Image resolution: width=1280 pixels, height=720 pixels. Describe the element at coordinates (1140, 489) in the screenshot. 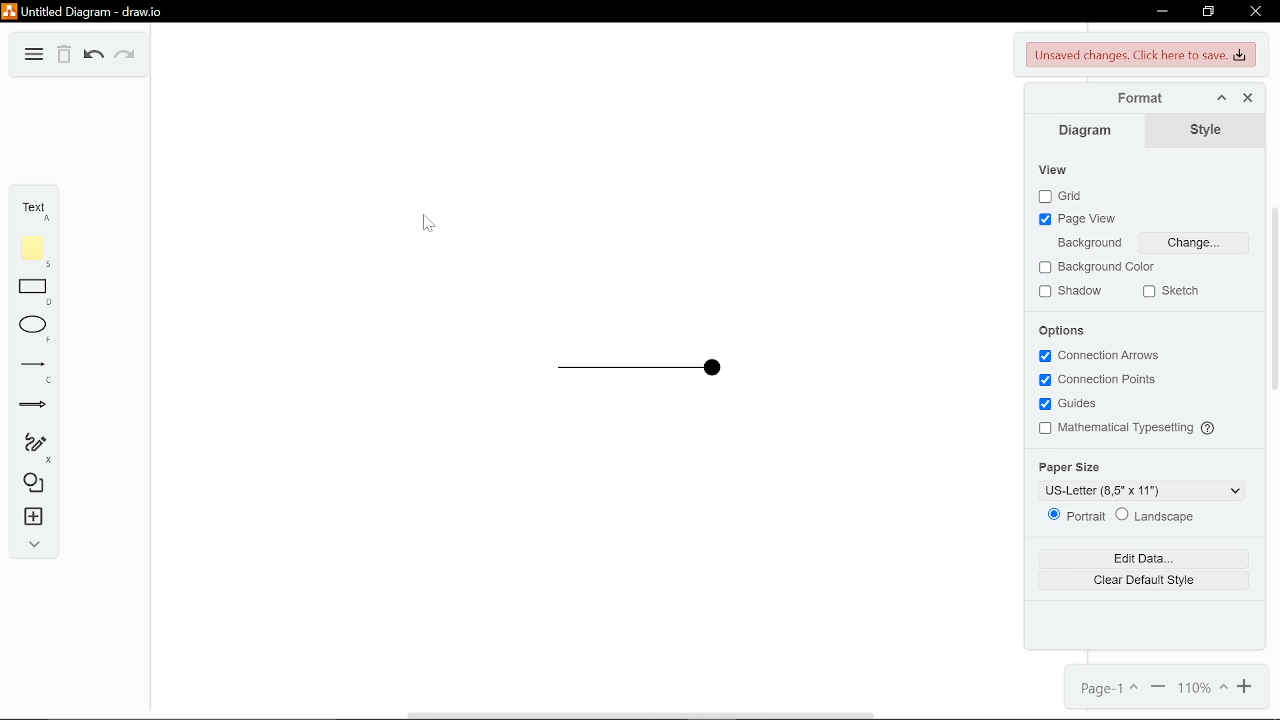

I see `Change Paper size` at that location.